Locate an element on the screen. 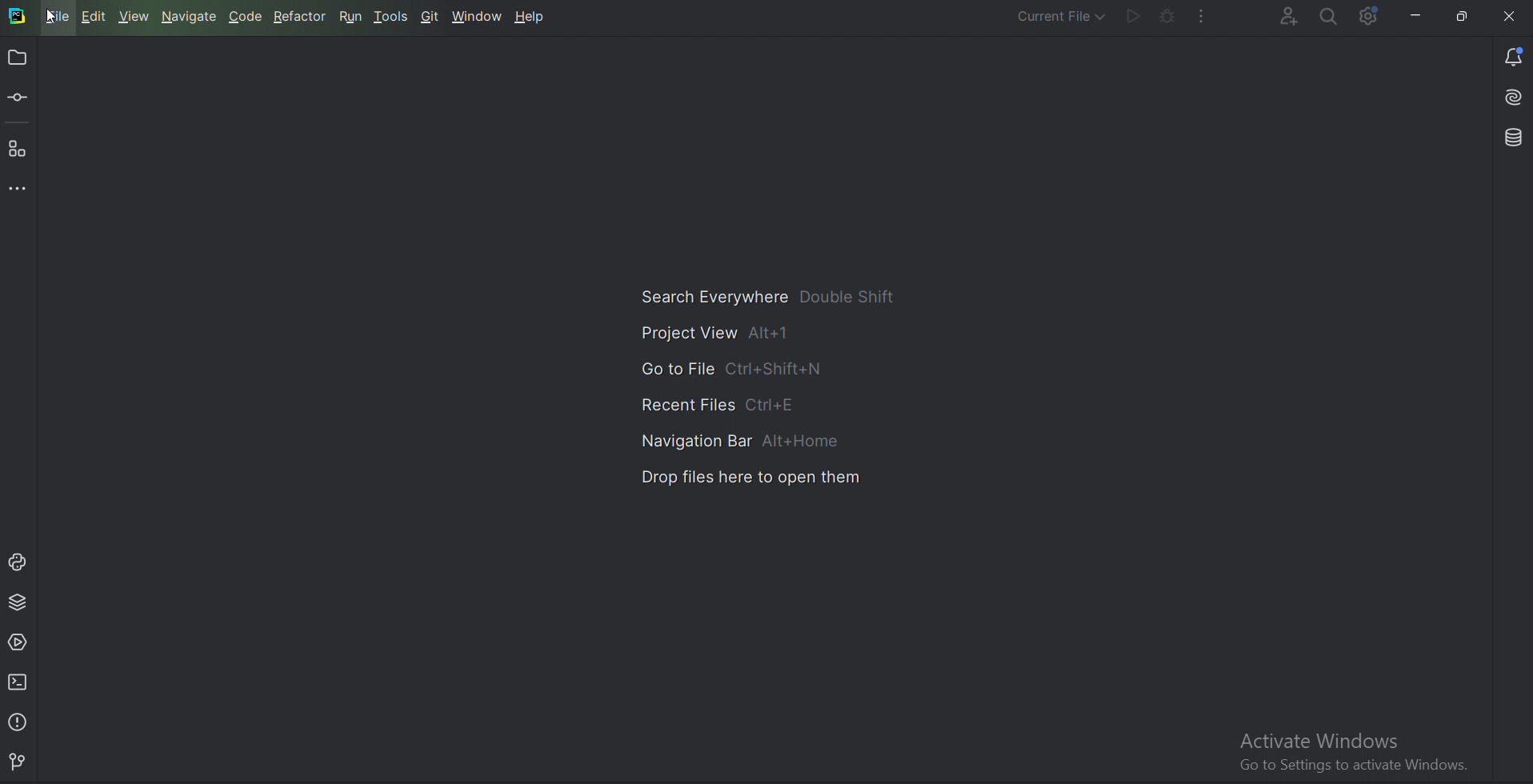 This screenshot has height=784, width=1533. Cross is located at coordinates (1510, 14).